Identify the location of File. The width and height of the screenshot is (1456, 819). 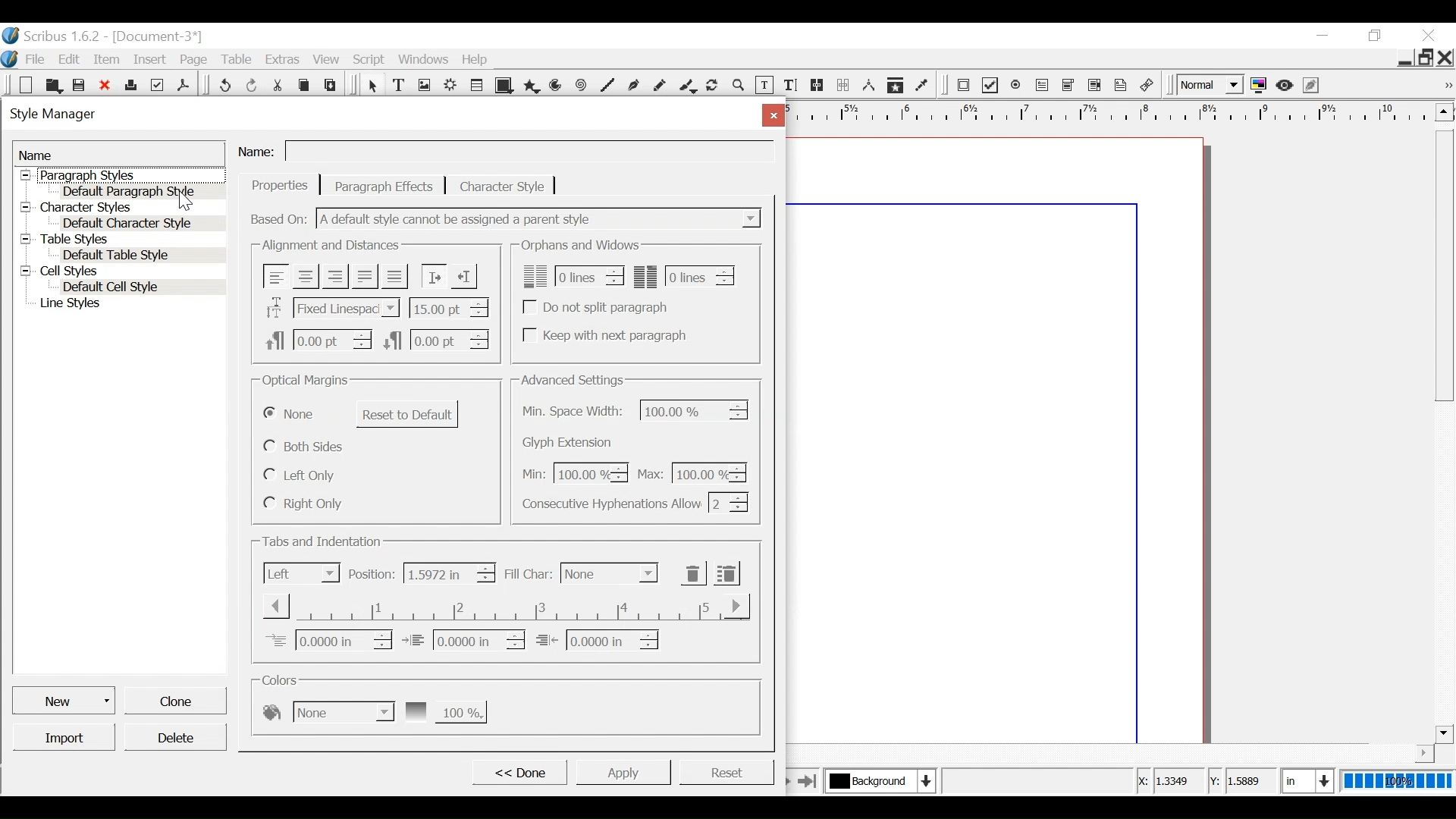
(35, 59).